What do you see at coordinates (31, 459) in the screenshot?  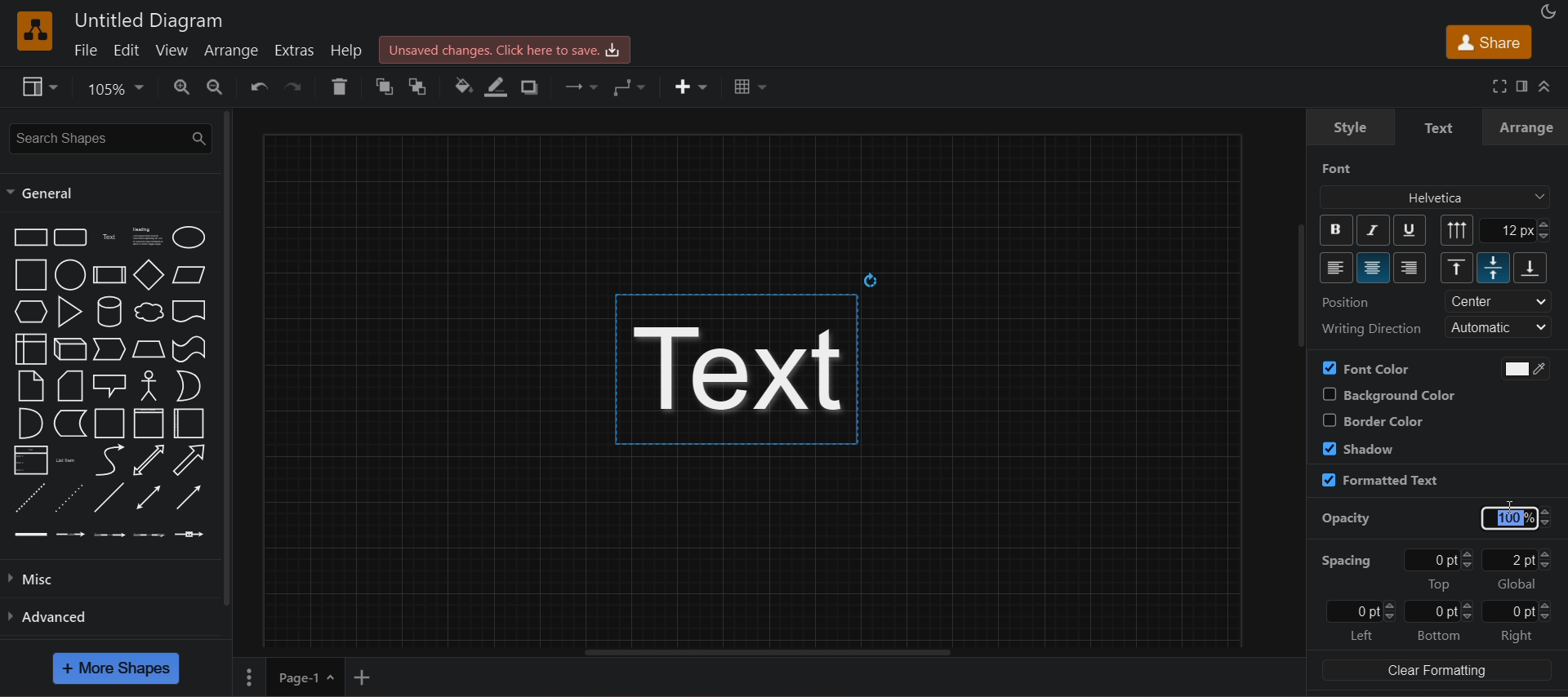 I see `list` at bounding box center [31, 459].